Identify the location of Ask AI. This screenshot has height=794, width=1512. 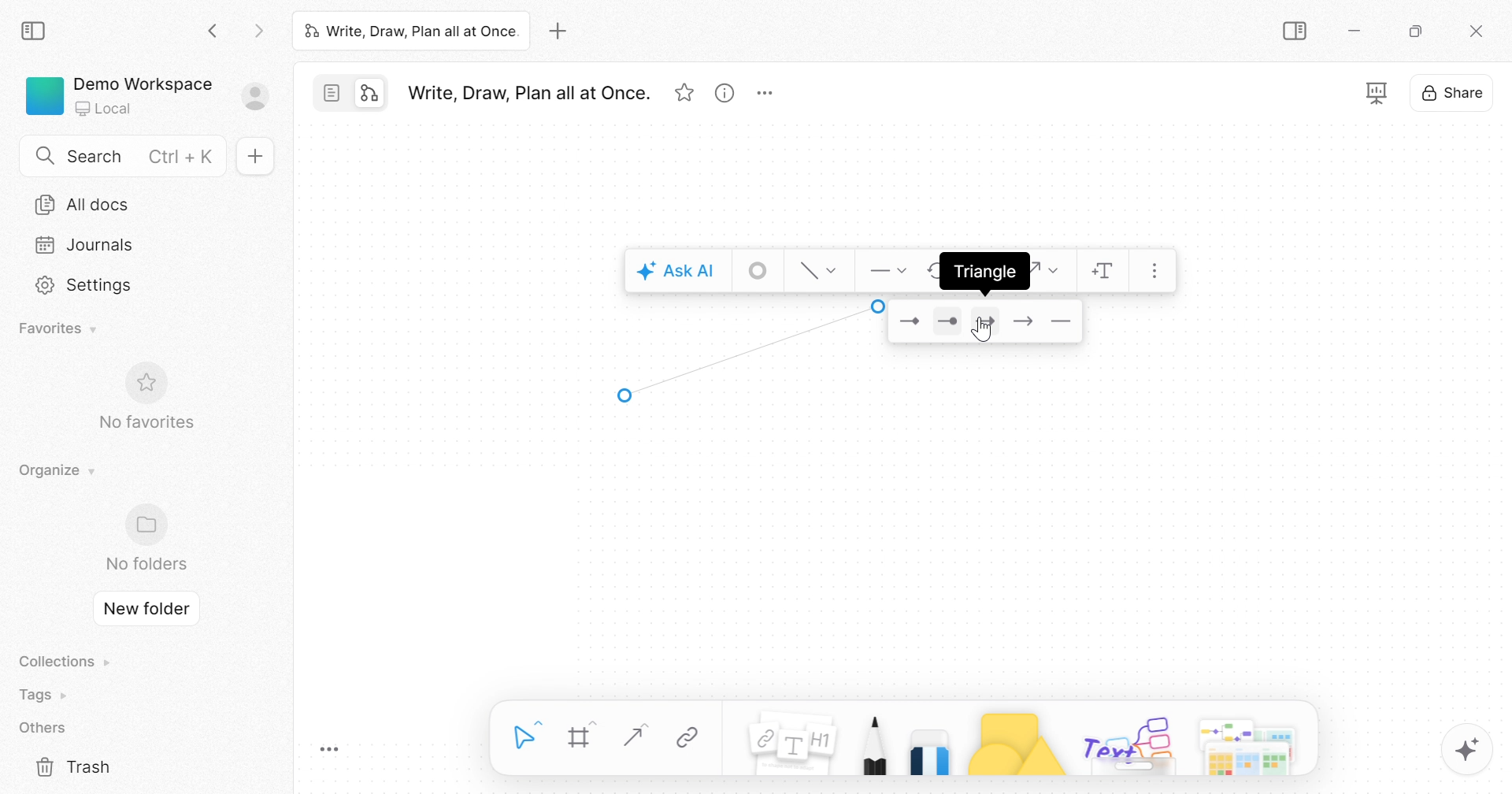
(676, 273).